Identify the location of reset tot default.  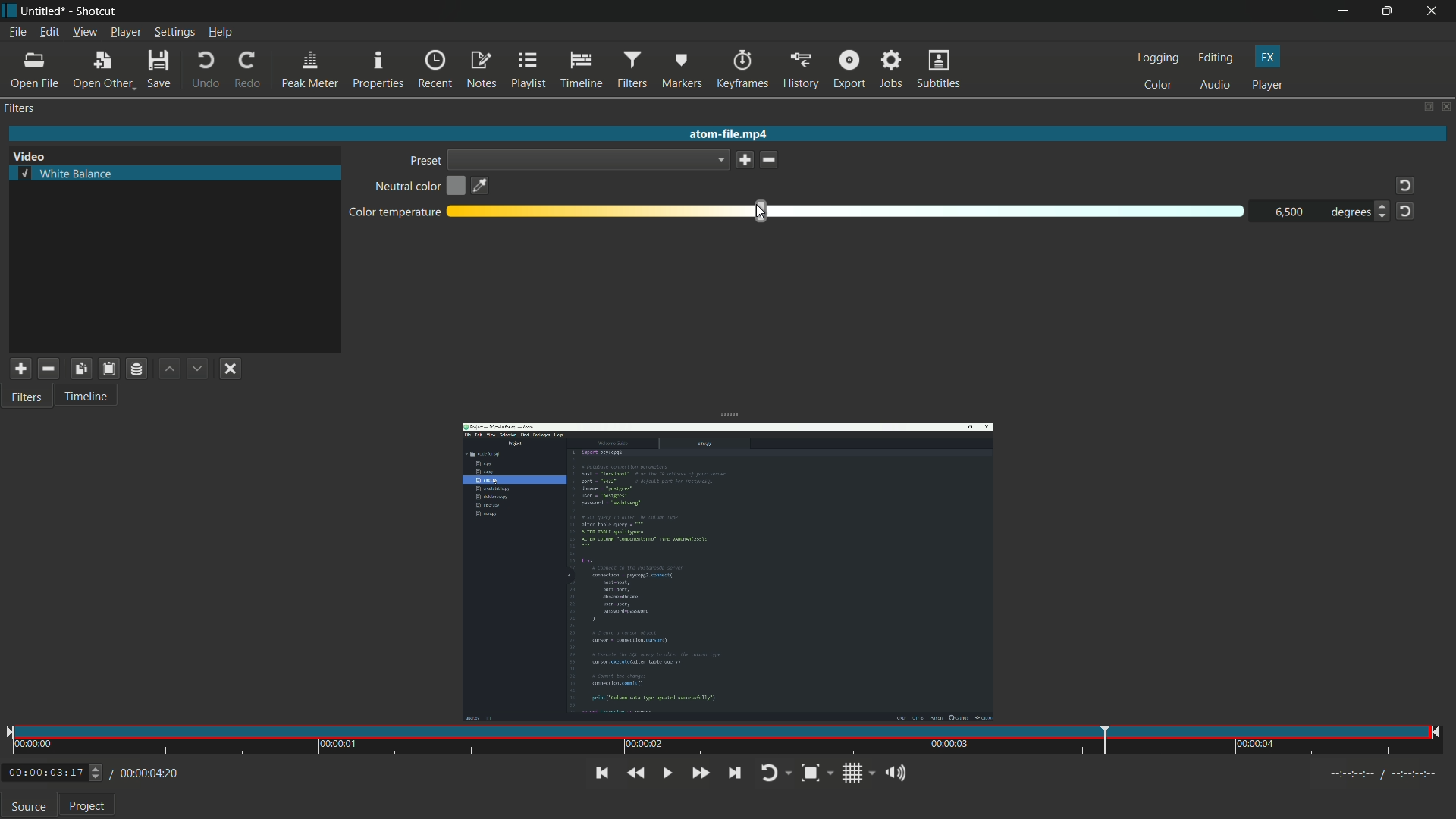
(1402, 186).